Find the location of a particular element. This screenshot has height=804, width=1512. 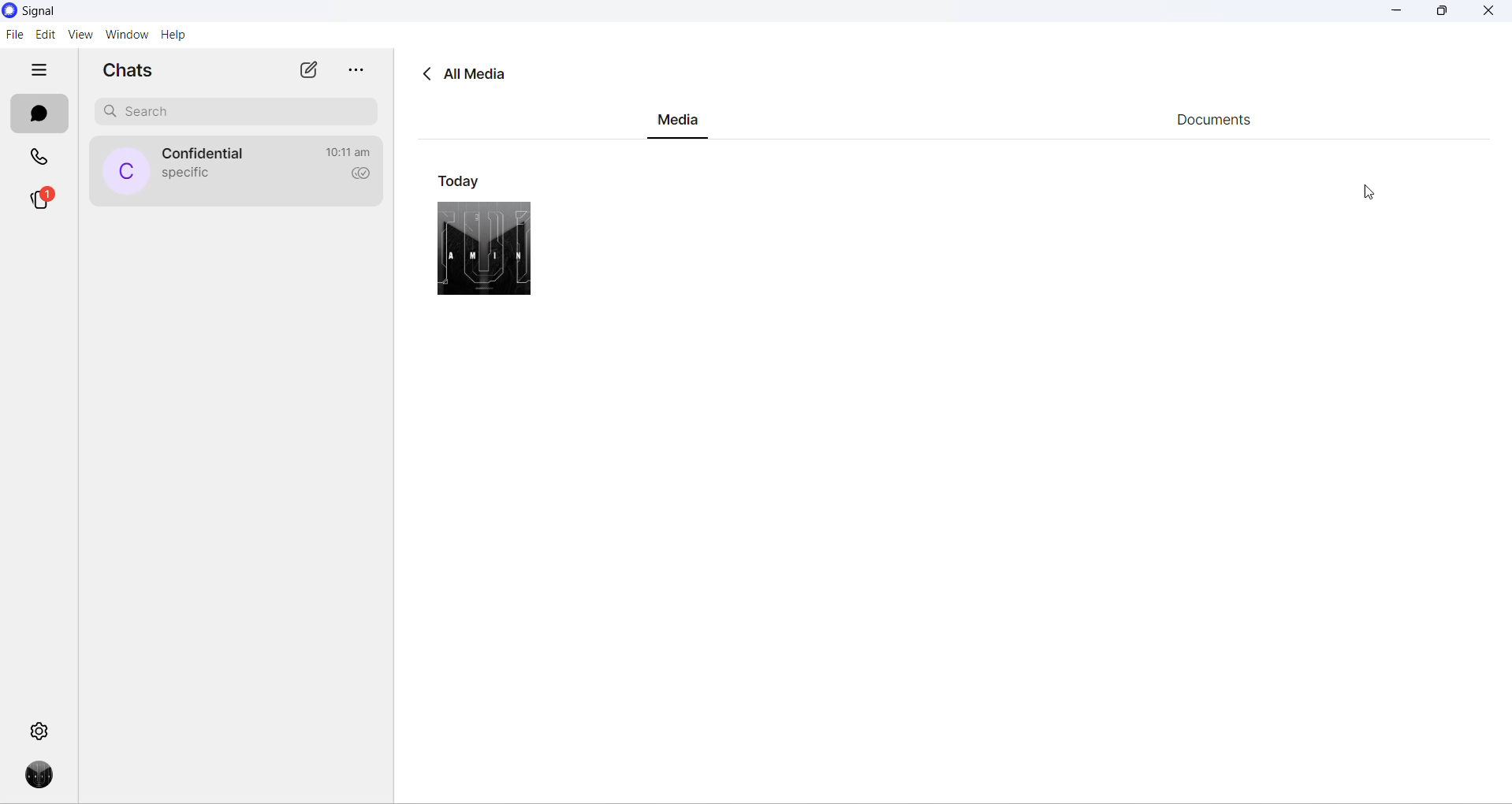

close is located at coordinates (1489, 11).